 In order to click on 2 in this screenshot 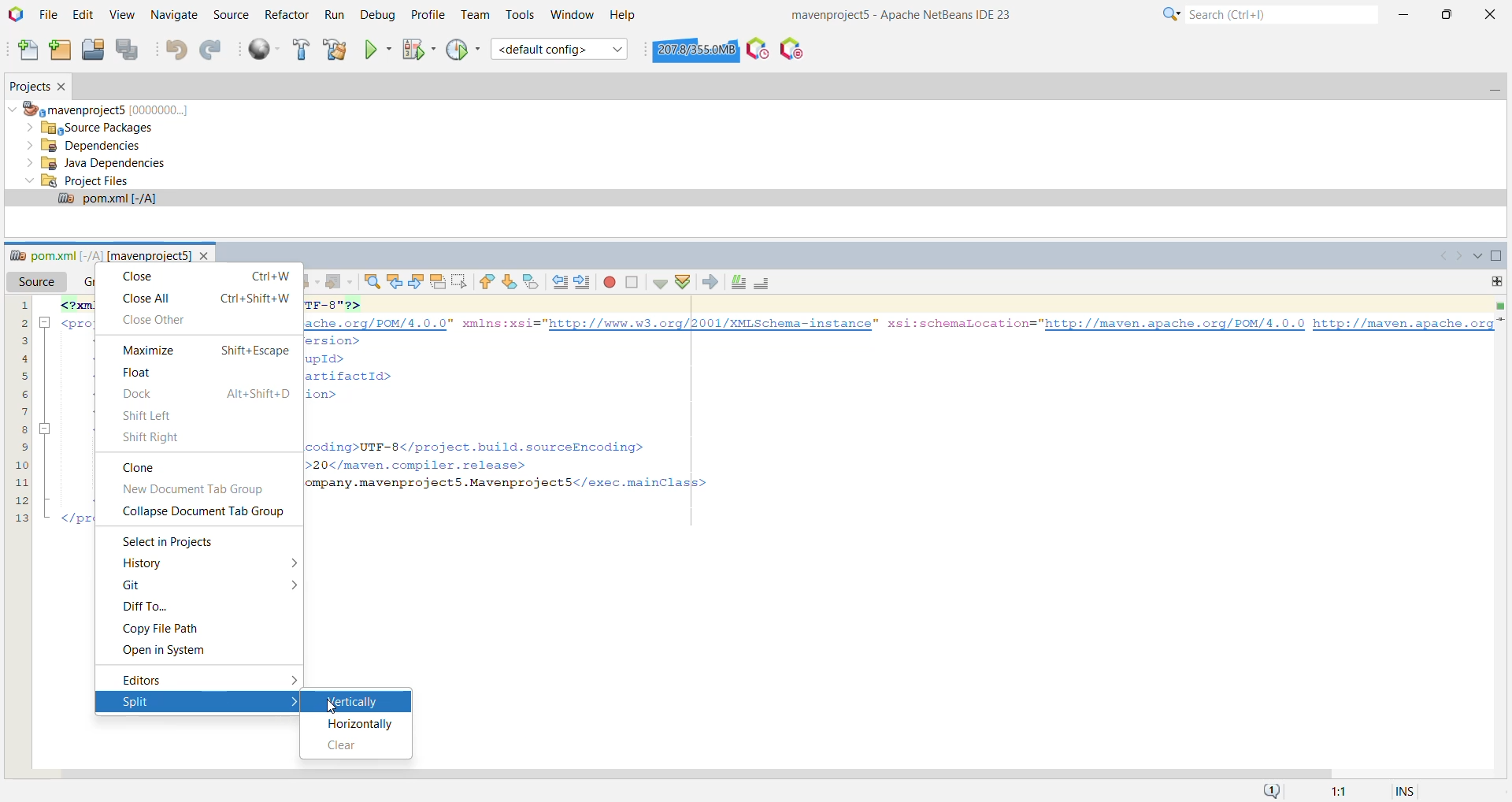, I will do `click(20, 323)`.